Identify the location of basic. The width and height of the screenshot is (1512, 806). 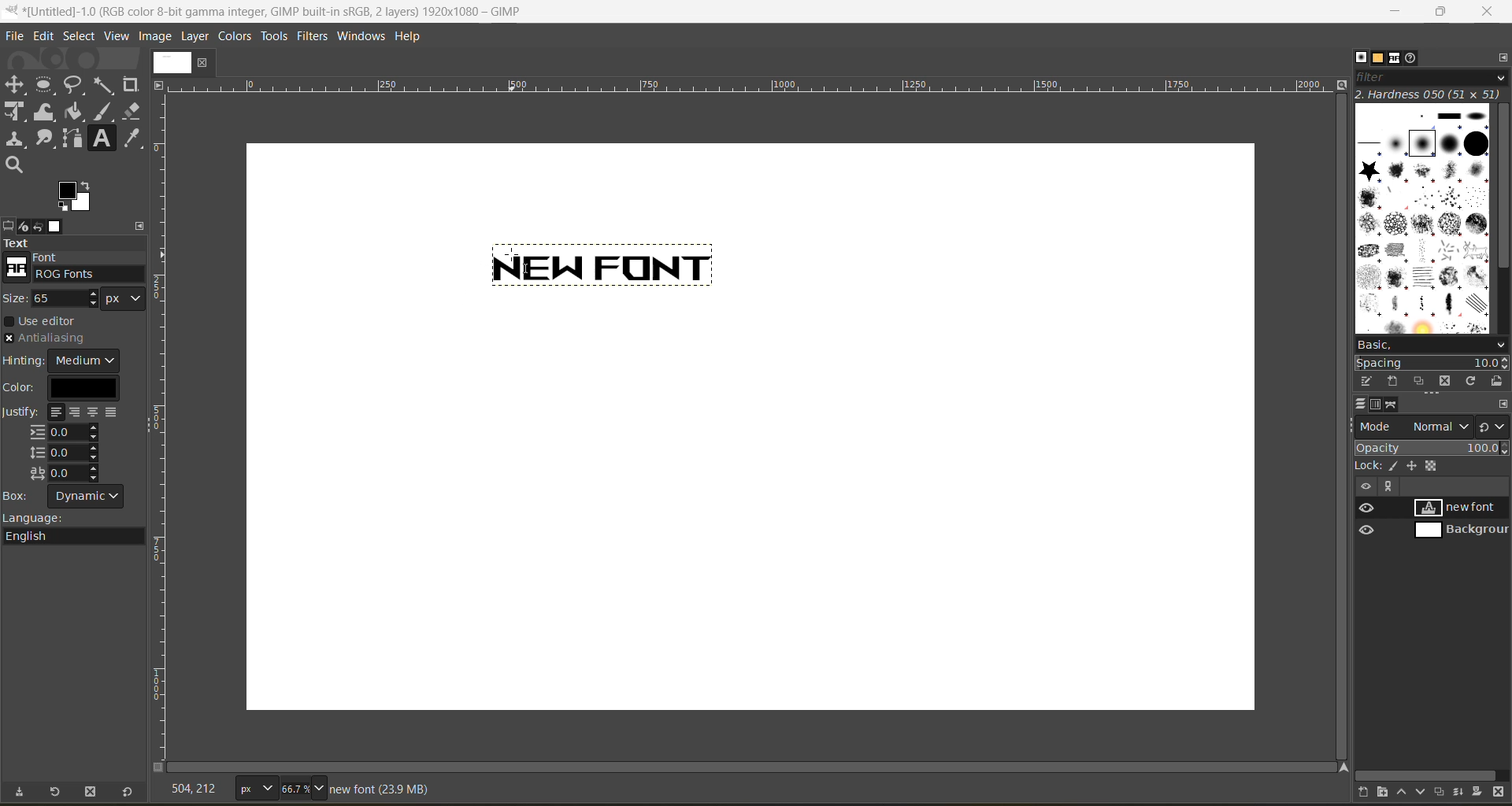
(1432, 346).